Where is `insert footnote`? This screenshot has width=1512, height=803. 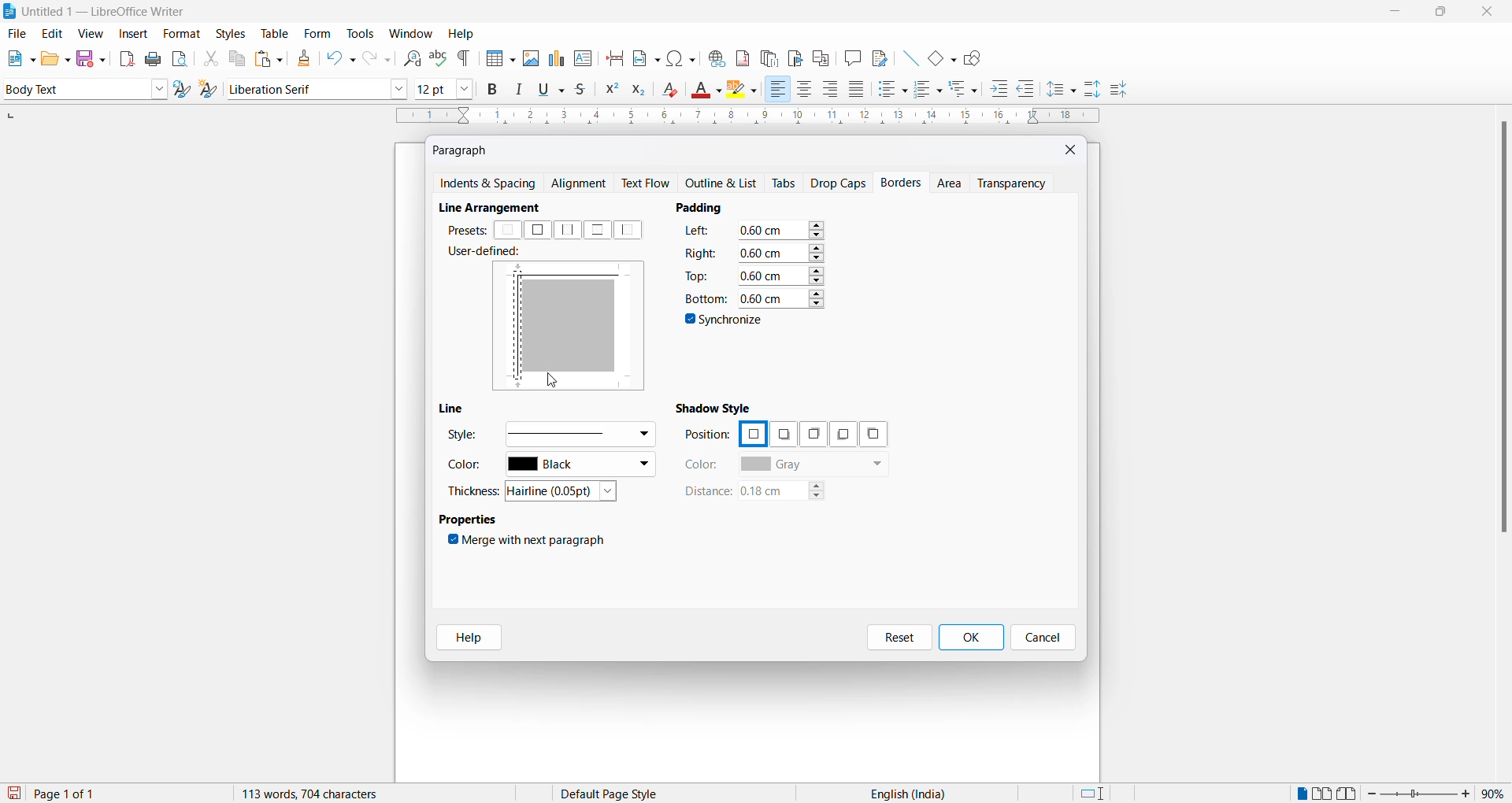
insert footnote is located at coordinates (739, 55).